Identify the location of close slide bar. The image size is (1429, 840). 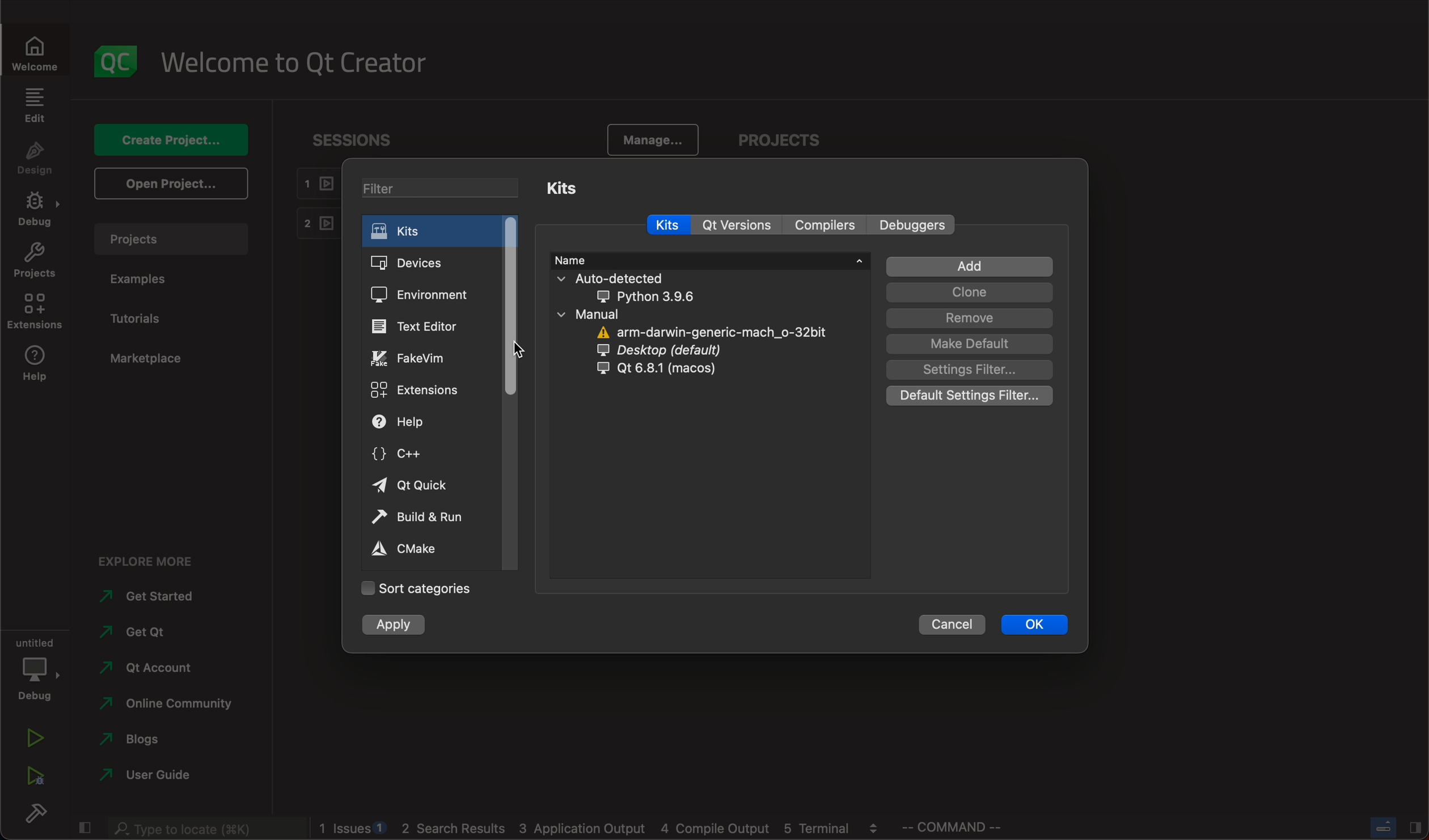
(1393, 827).